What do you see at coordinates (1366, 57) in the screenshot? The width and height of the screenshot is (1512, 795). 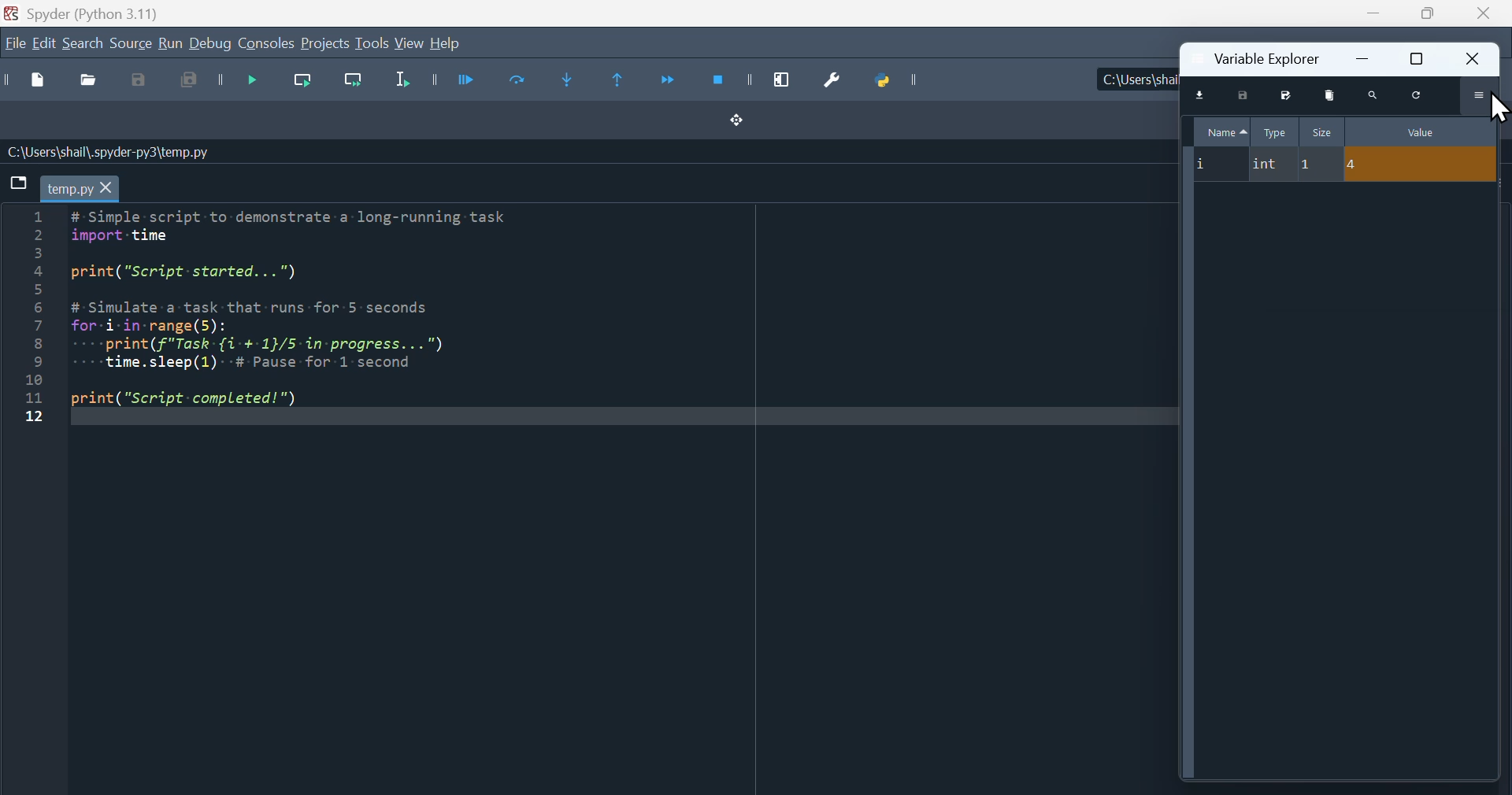 I see `minimize` at bounding box center [1366, 57].